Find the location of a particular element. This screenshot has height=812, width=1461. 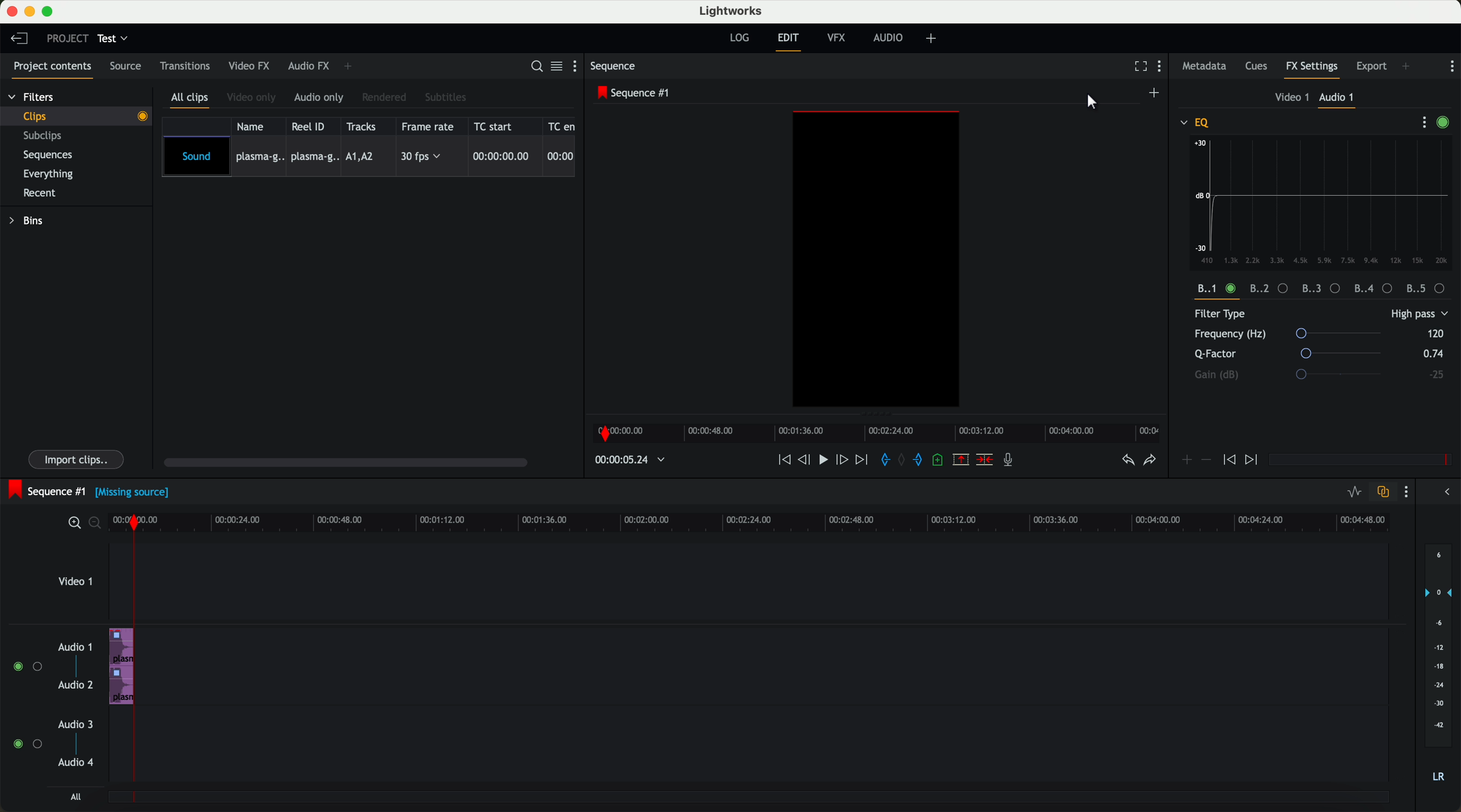

scroll bar is located at coordinates (352, 464).